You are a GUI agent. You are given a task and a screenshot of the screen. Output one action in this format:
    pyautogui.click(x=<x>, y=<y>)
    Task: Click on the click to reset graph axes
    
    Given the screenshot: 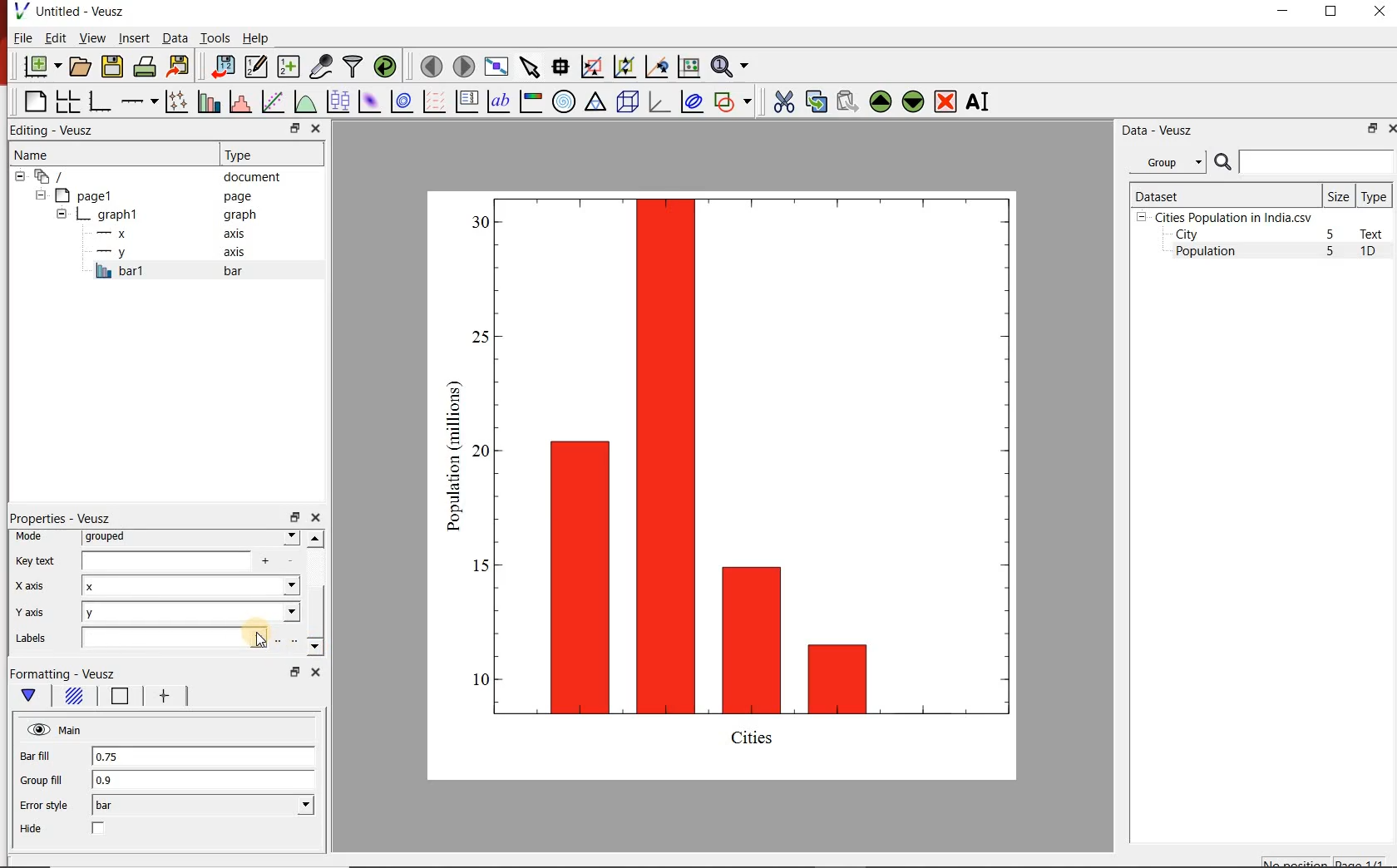 What is the action you would take?
    pyautogui.click(x=689, y=66)
    